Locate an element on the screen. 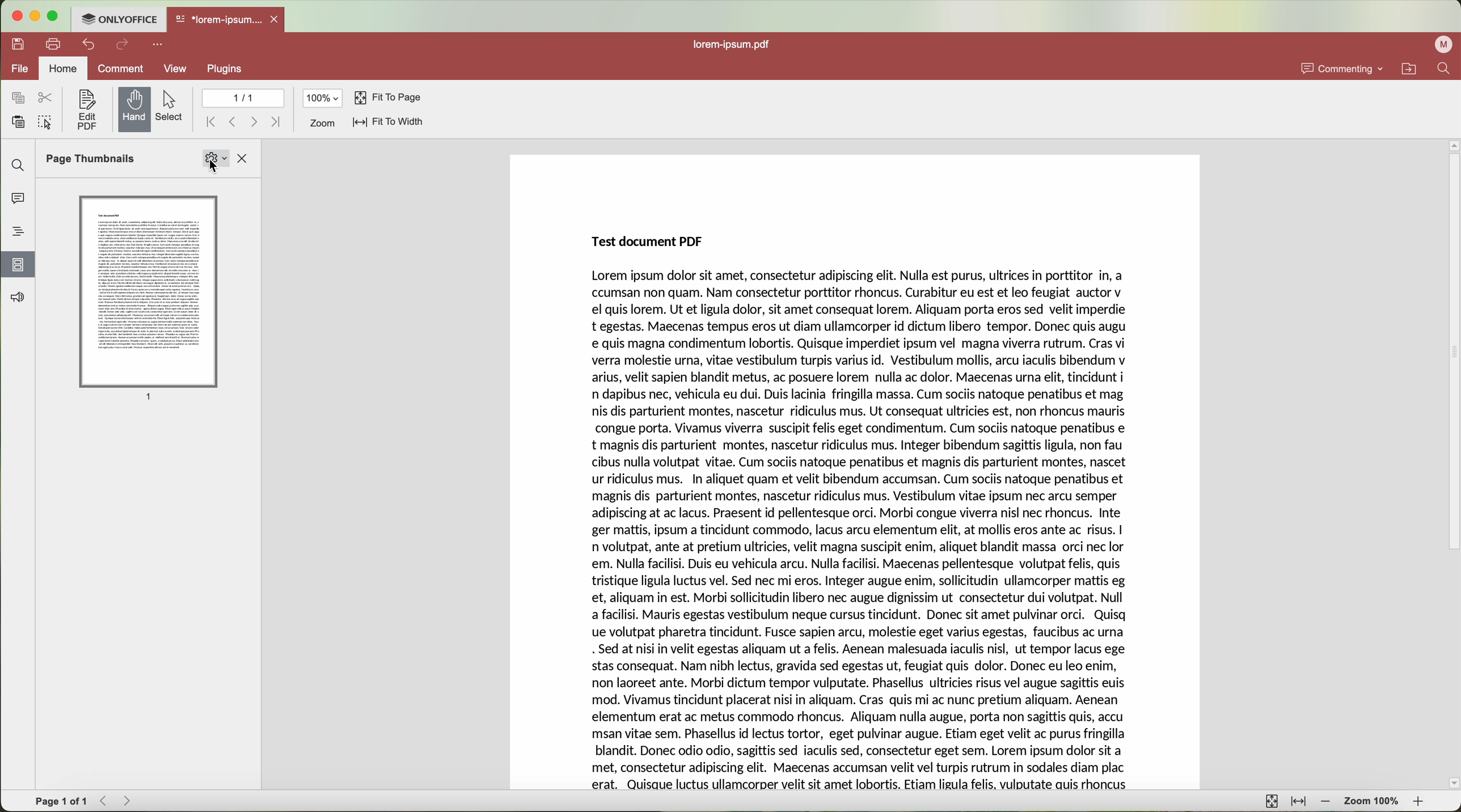  ONLYOFFICE is located at coordinates (119, 19).